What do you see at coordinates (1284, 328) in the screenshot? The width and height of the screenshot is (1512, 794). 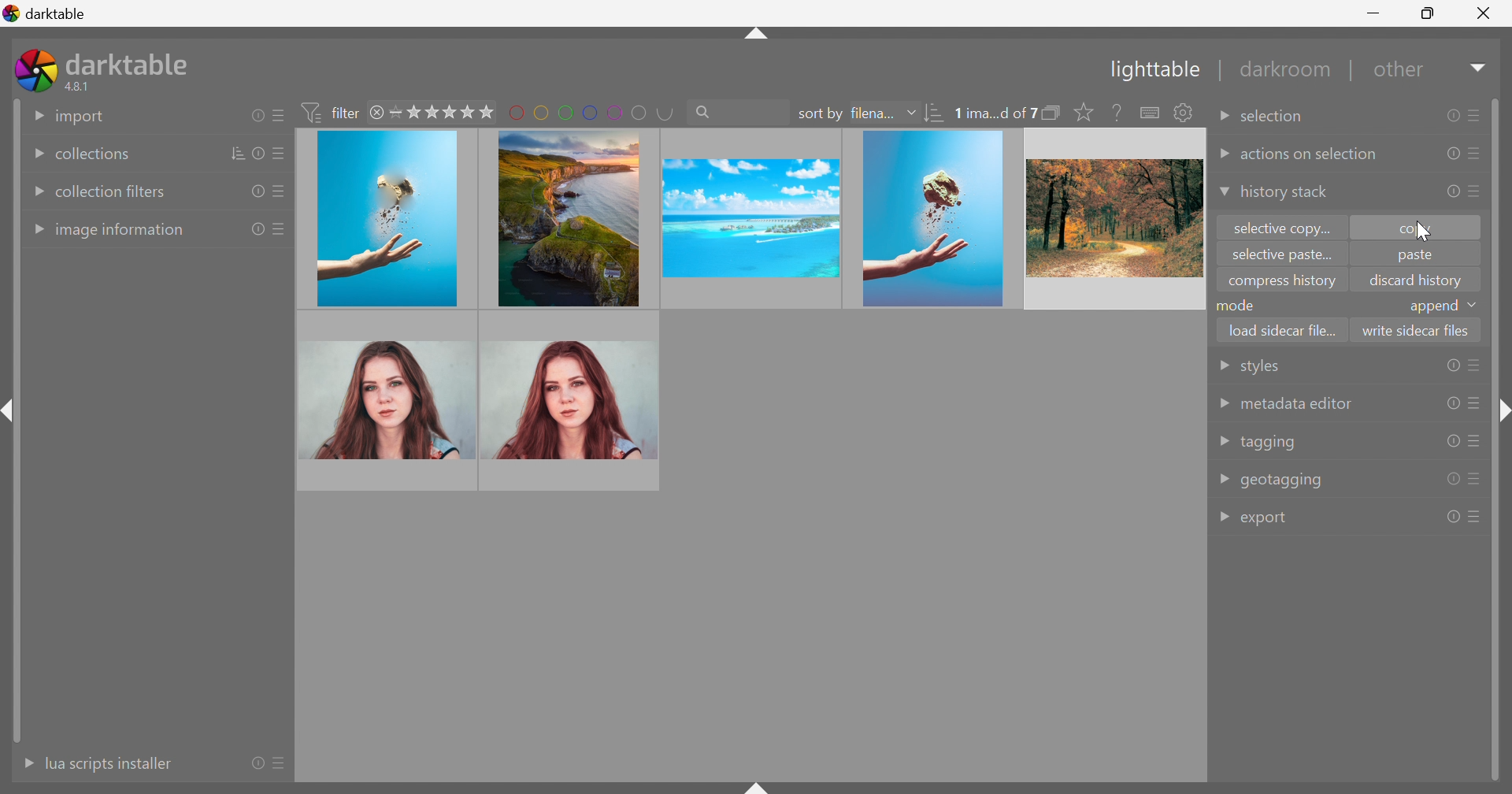 I see `load sidecar file...` at bounding box center [1284, 328].